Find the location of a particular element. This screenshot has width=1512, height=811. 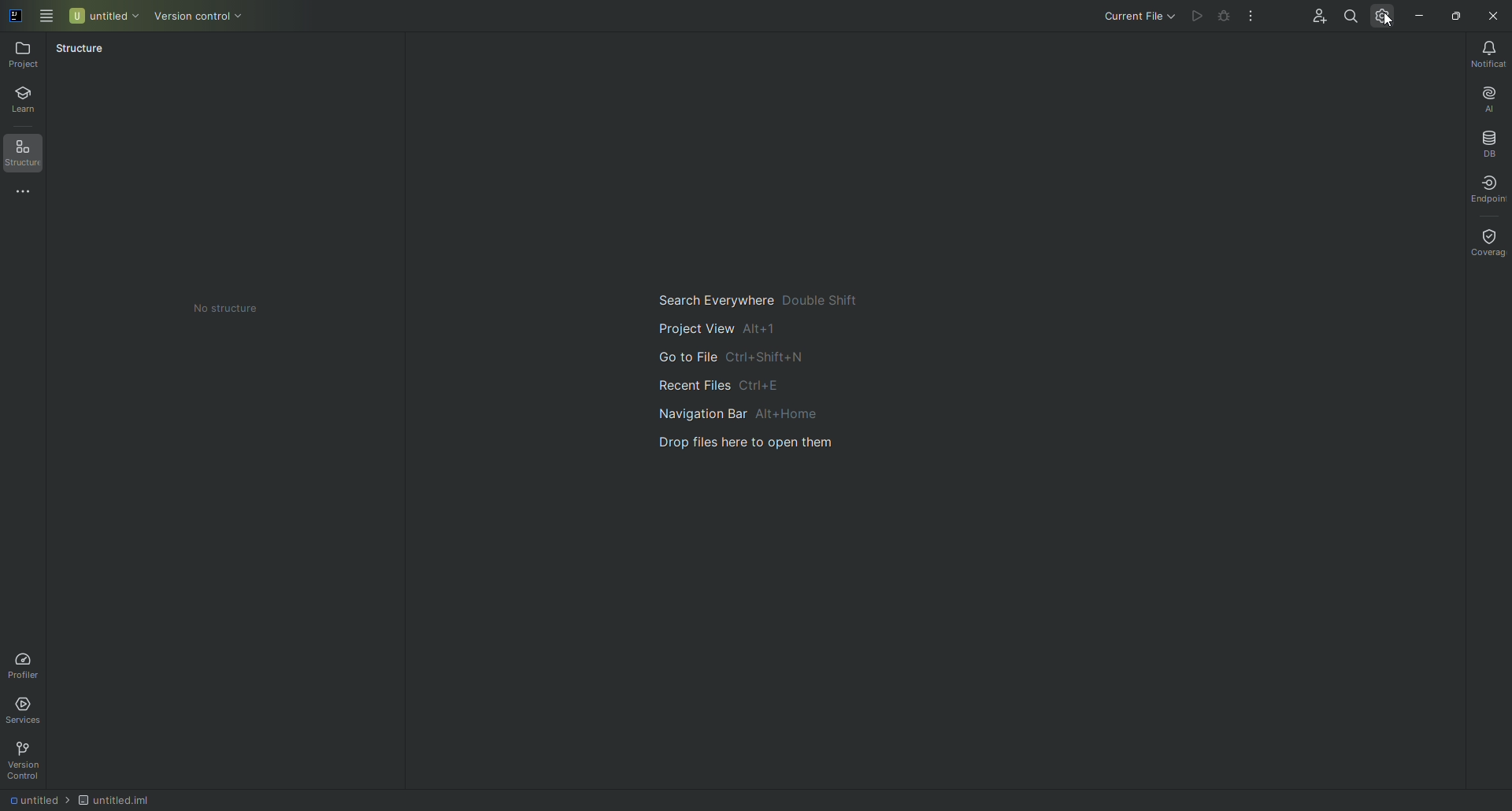

Untitled is located at coordinates (103, 16).